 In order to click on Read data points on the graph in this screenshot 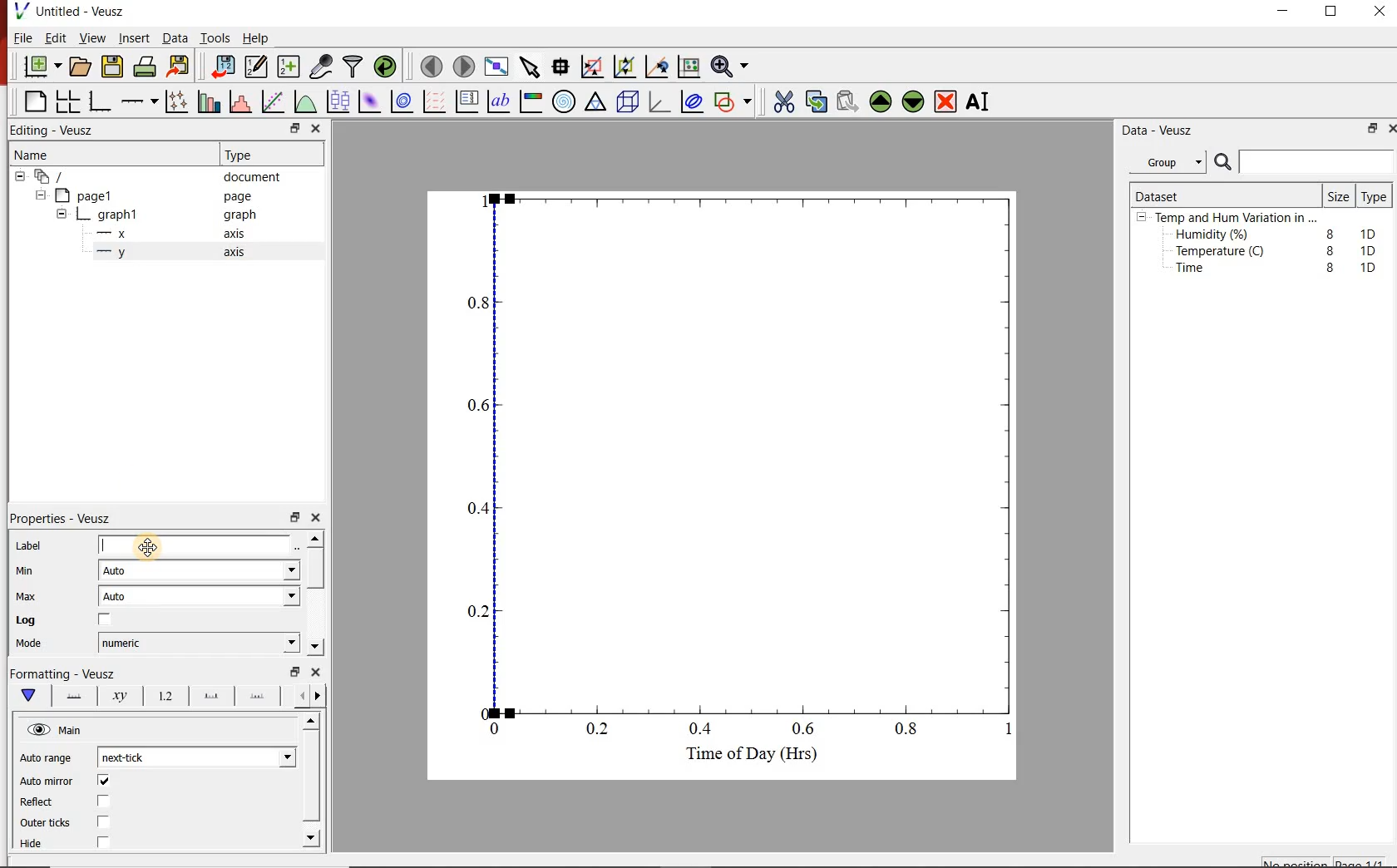, I will do `click(562, 67)`.